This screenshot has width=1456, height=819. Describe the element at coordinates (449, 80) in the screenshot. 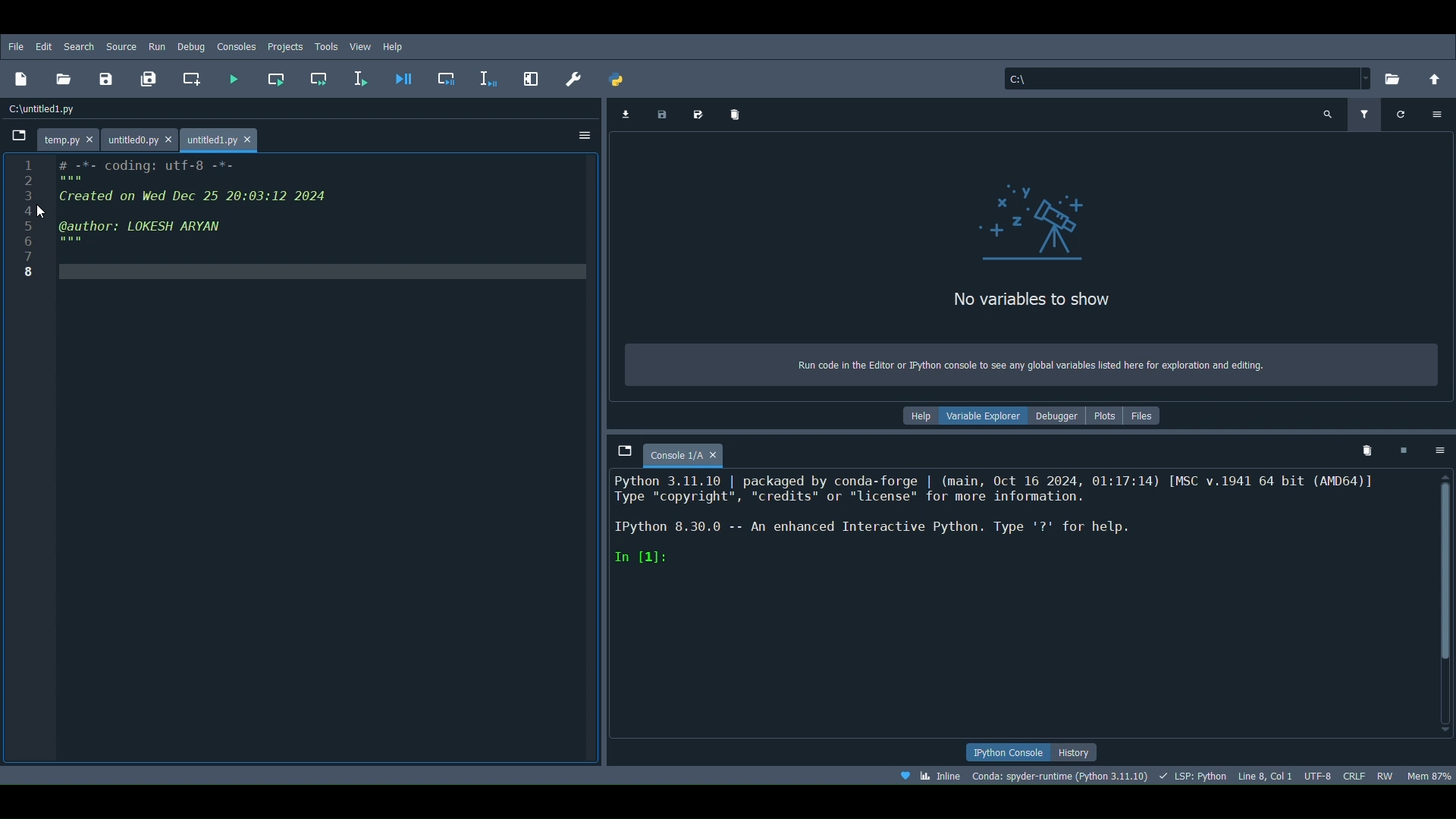

I see `` at that location.